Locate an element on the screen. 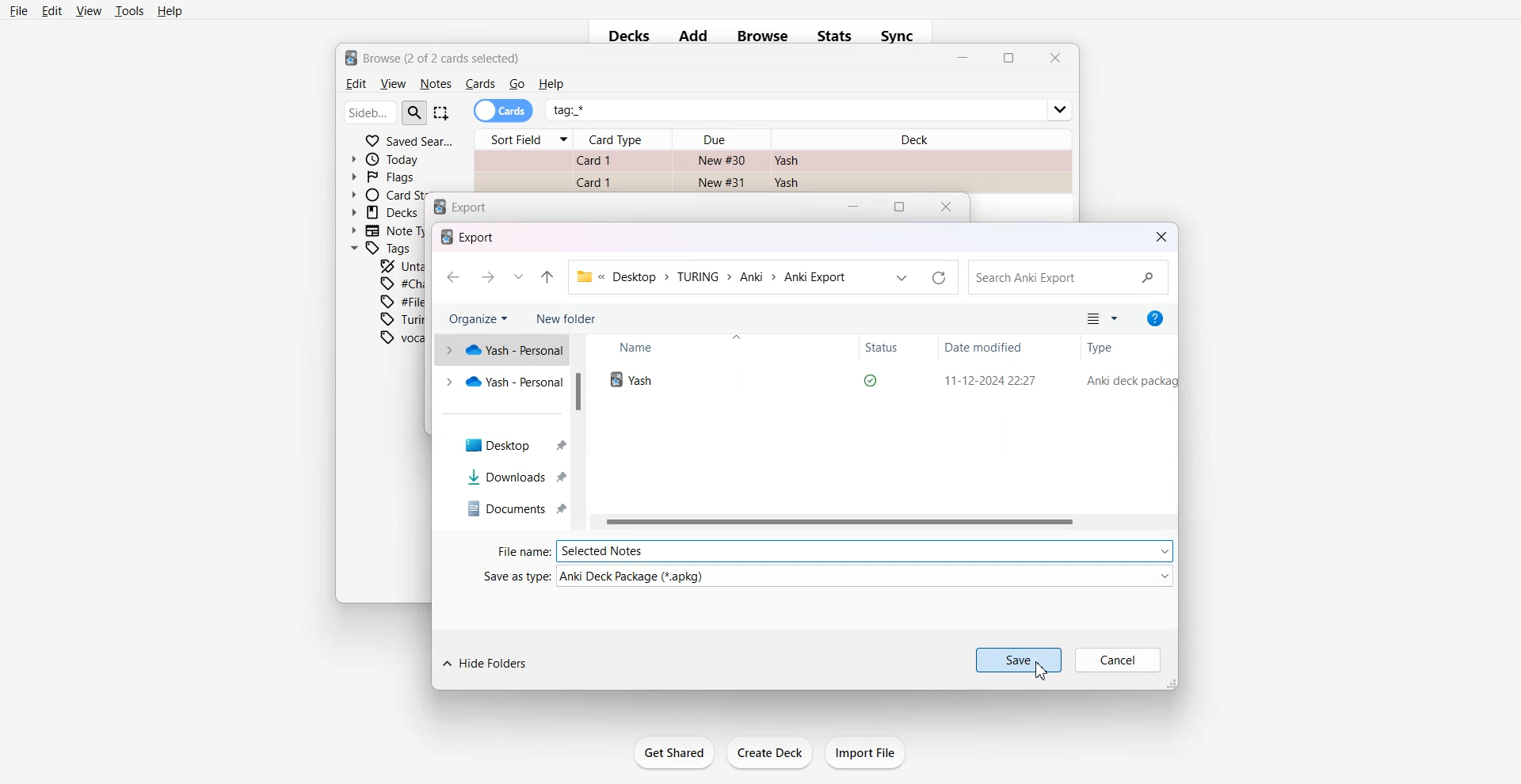 The image size is (1521, 784). Name is located at coordinates (666, 348).